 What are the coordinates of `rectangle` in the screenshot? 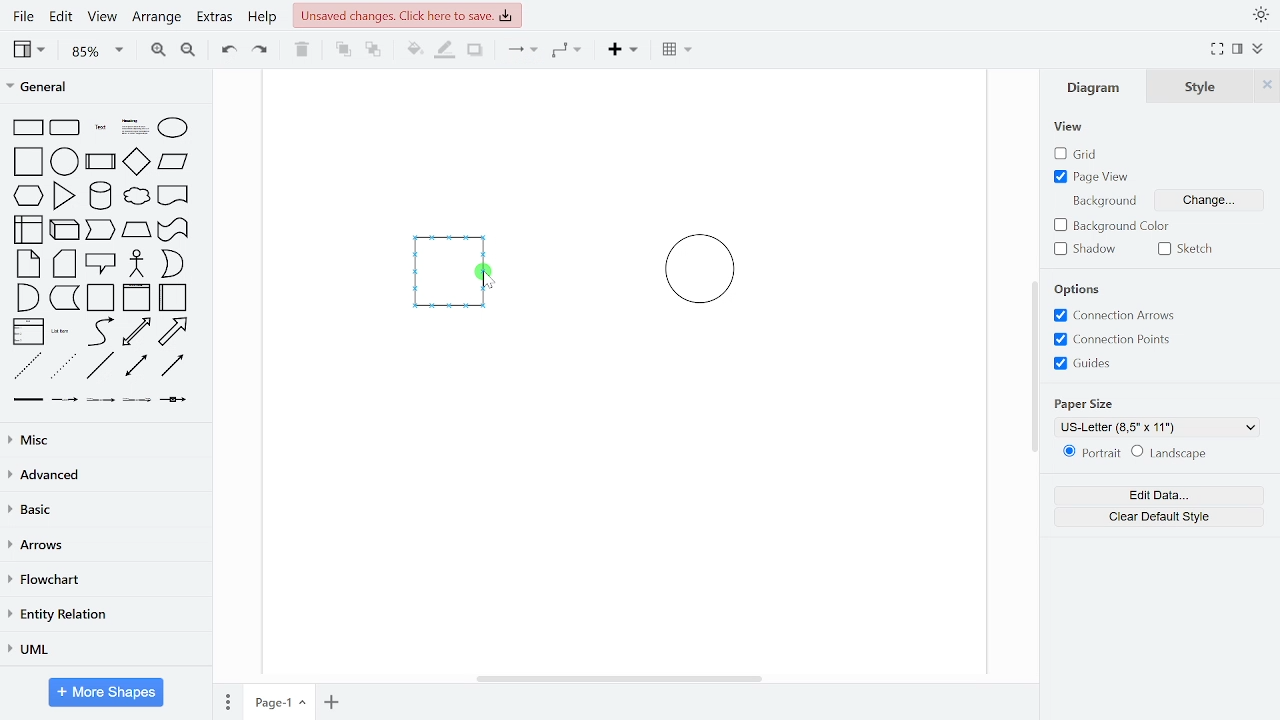 It's located at (28, 128).